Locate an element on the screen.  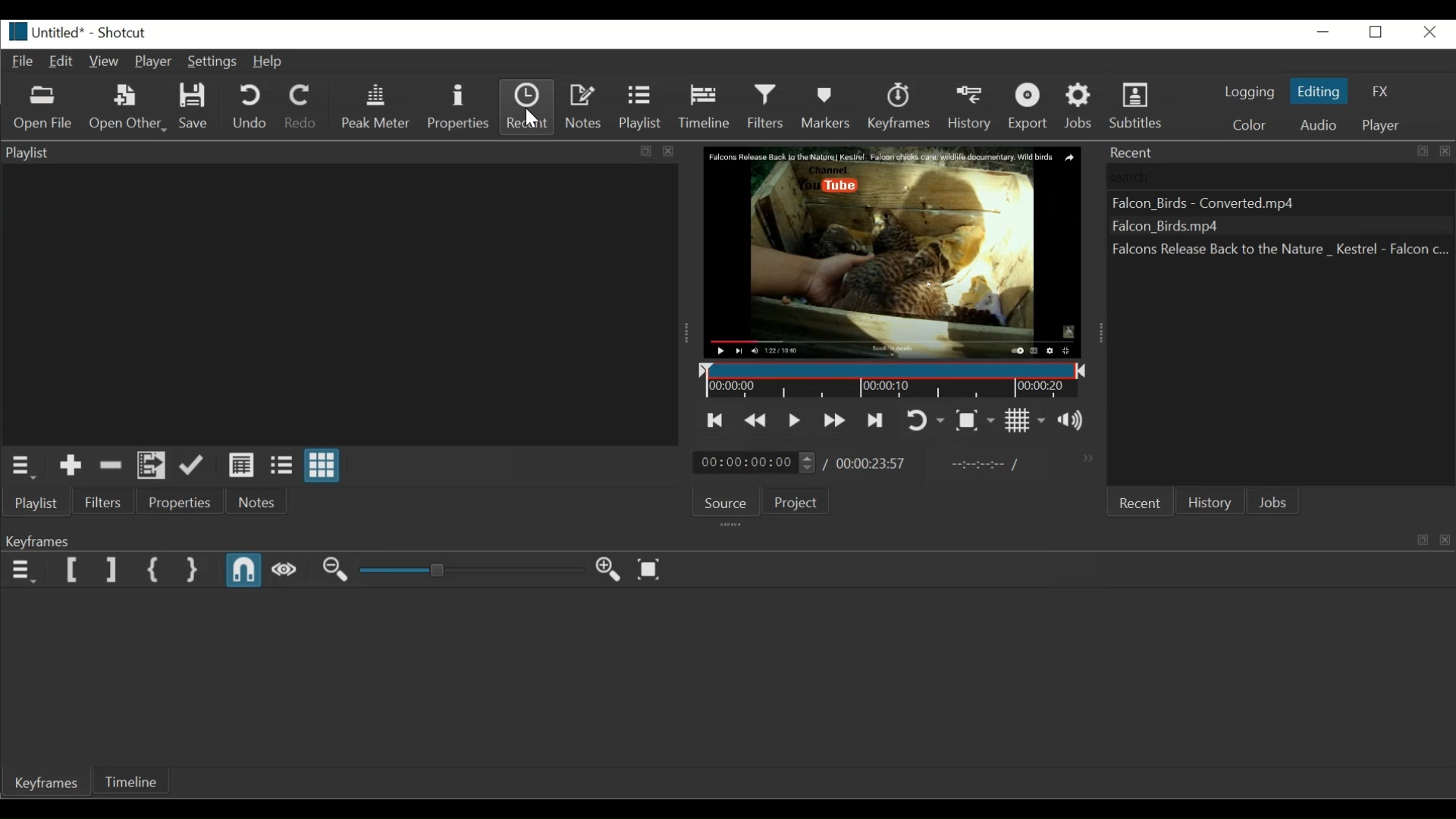
View as details is located at coordinates (240, 466).